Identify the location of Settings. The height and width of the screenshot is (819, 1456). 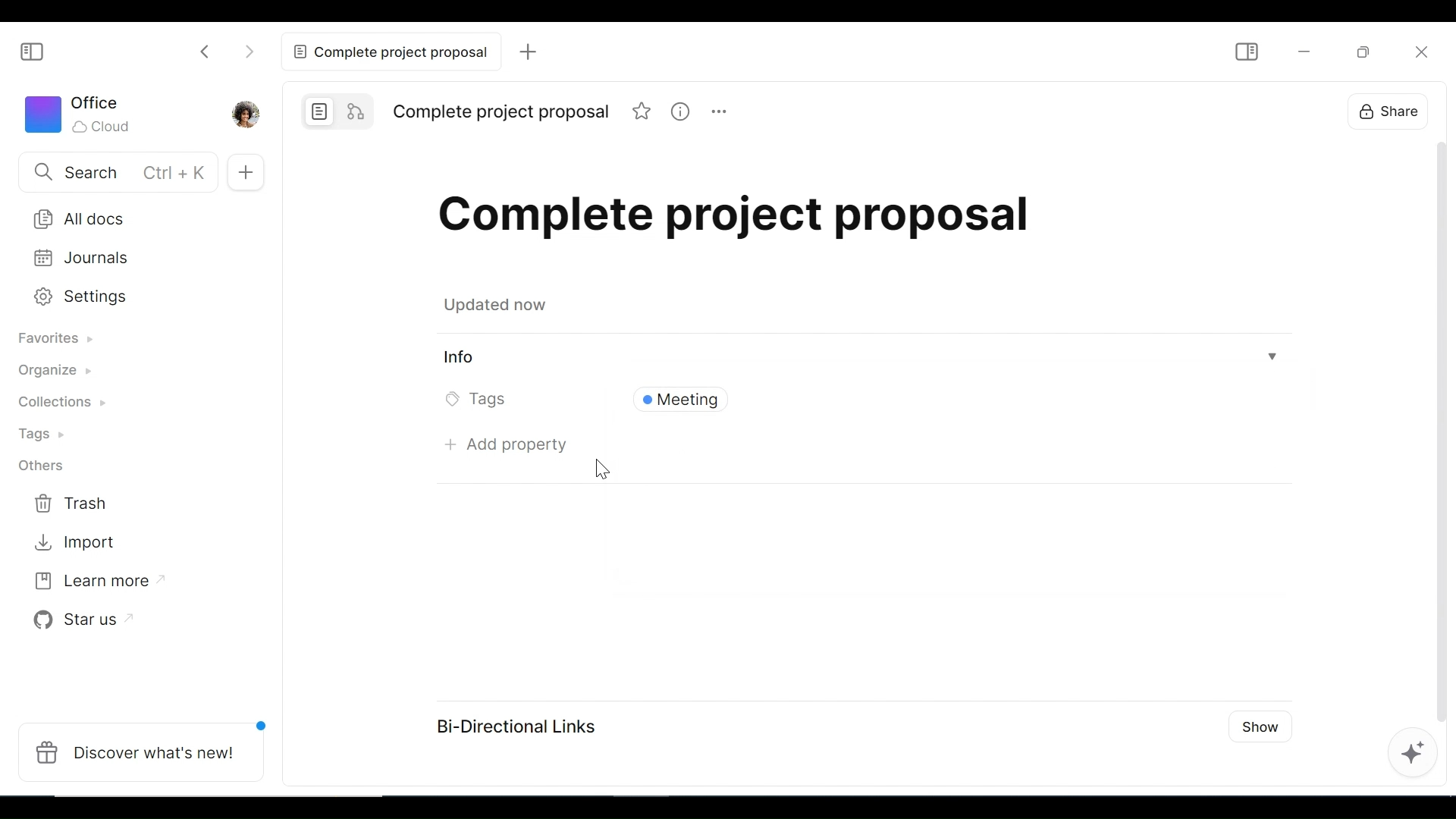
(128, 297).